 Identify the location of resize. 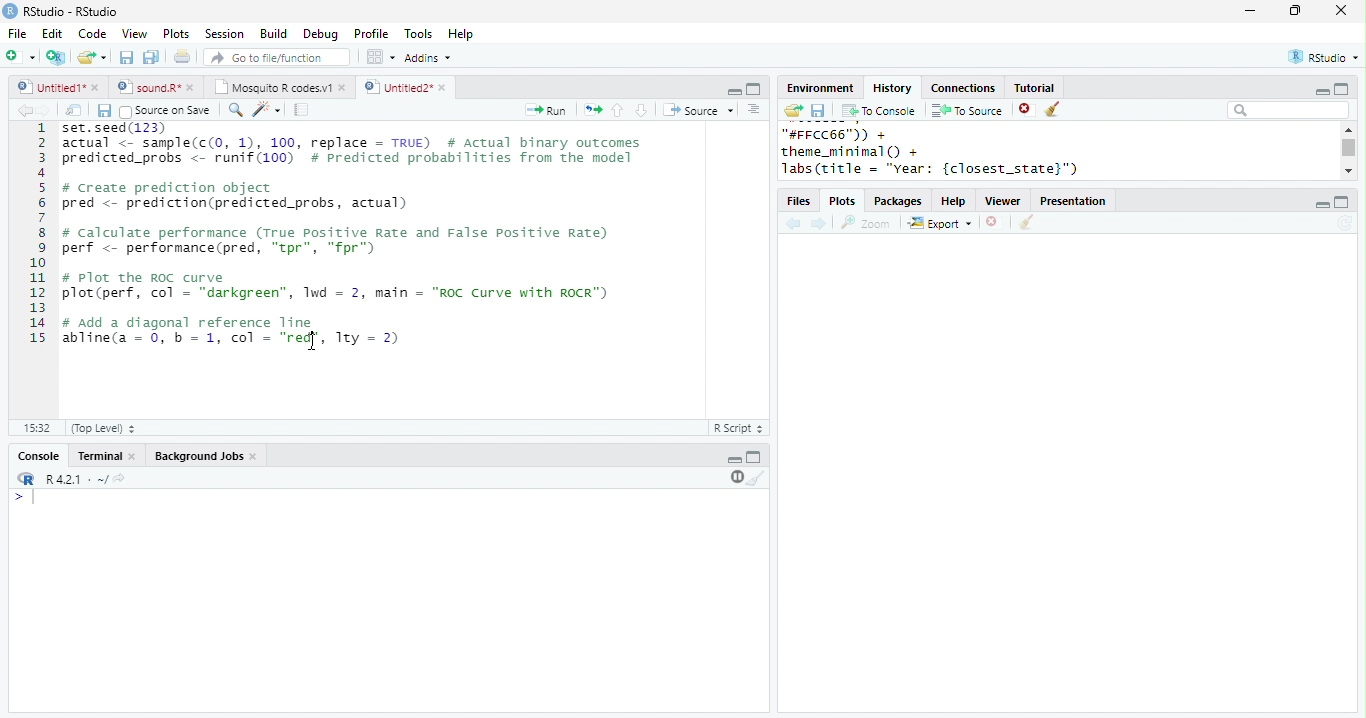
(1295, 11).